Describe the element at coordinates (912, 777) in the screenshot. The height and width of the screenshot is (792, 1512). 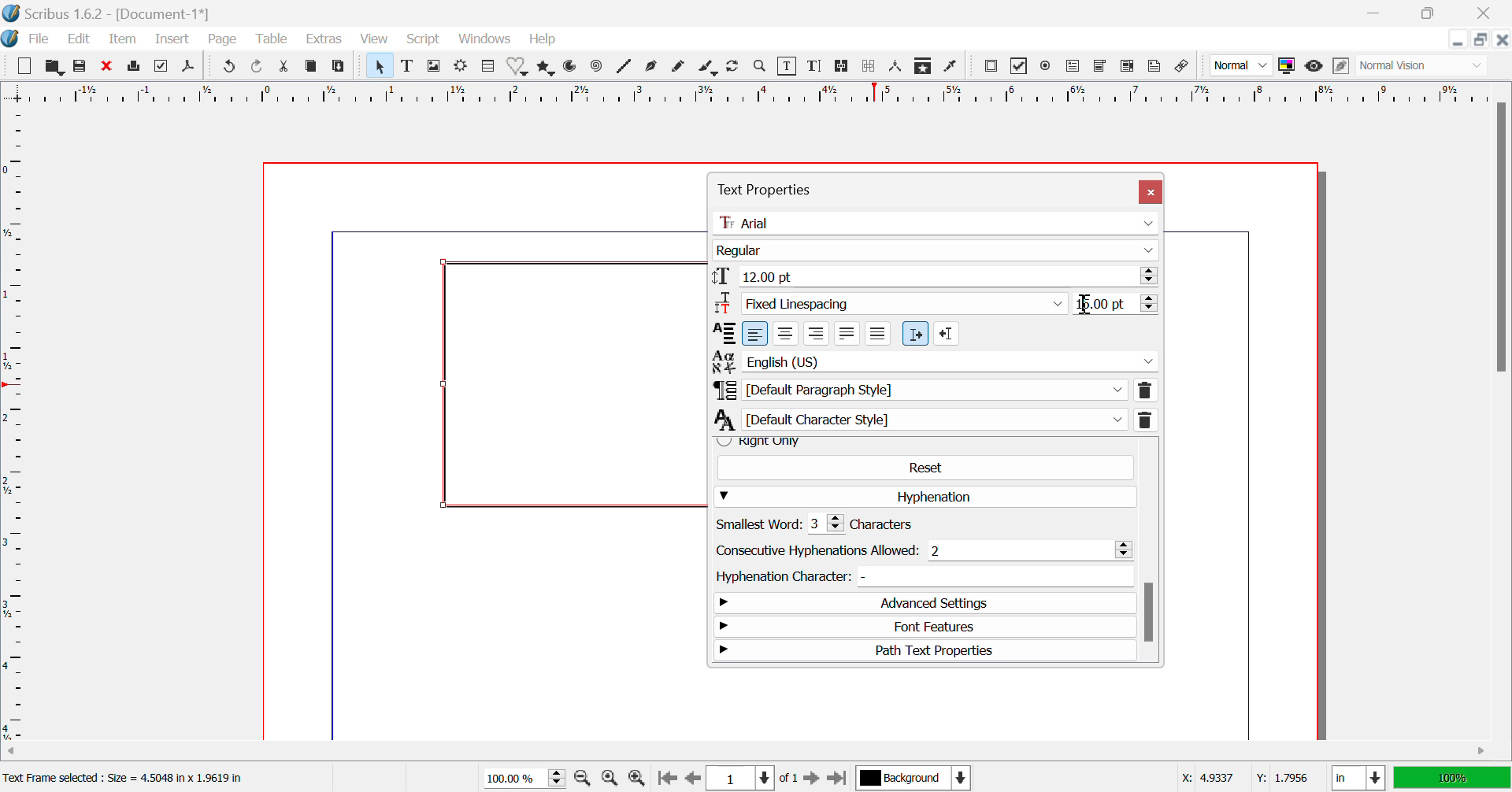
I see `Background` at that location.